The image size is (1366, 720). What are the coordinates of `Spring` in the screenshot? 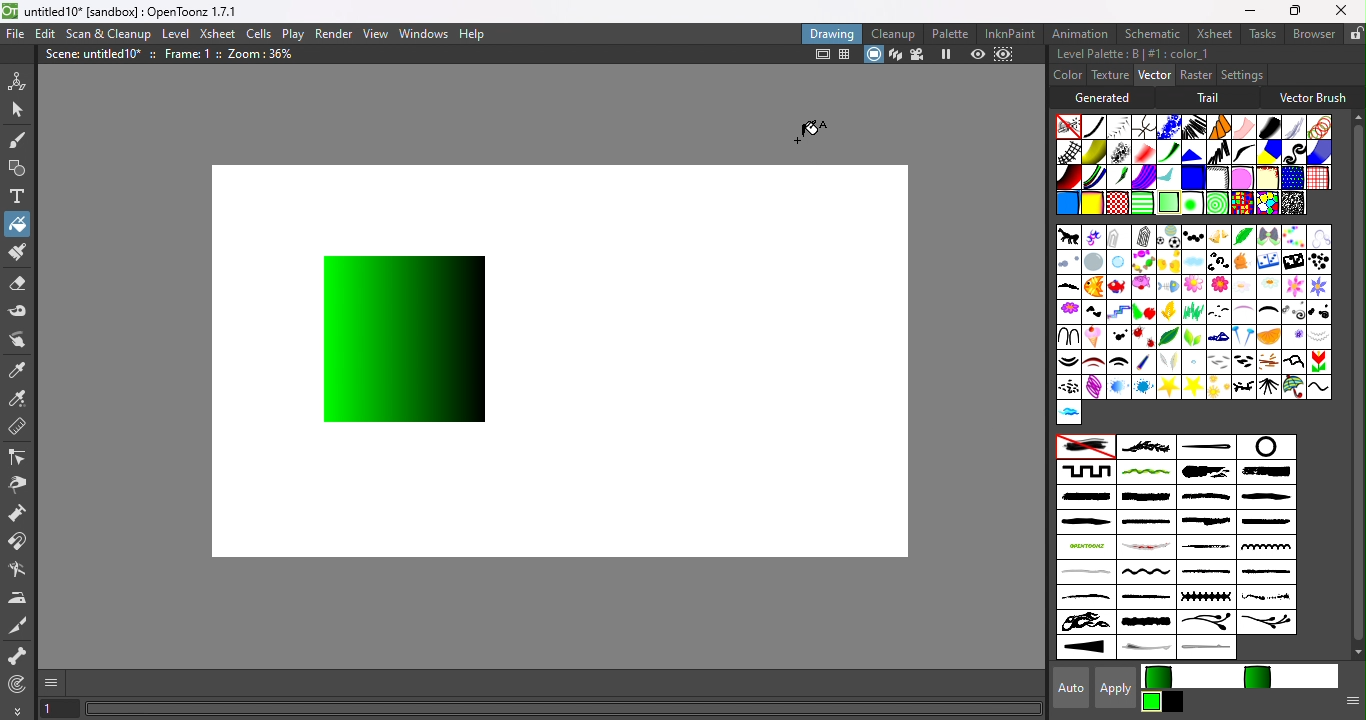 It's located at (1093, 387).